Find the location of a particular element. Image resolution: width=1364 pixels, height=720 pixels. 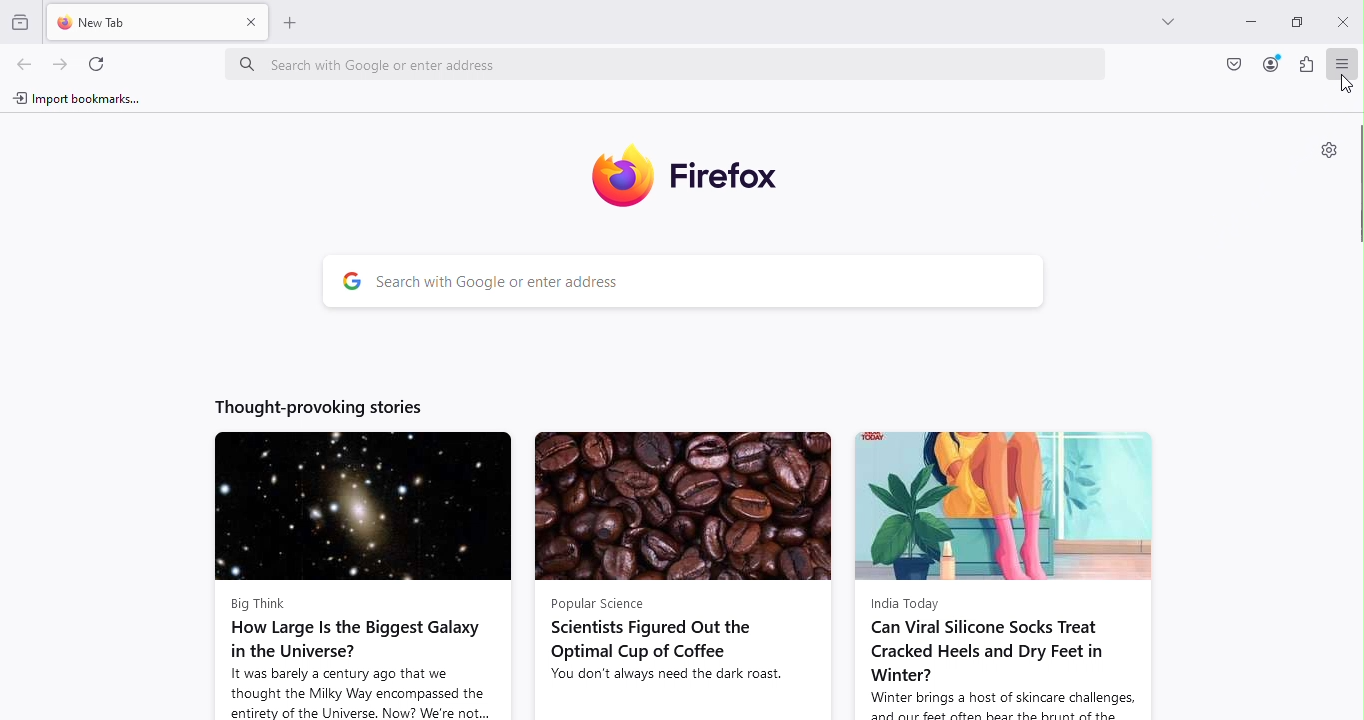

google logo is located at coordinates (350, 283).